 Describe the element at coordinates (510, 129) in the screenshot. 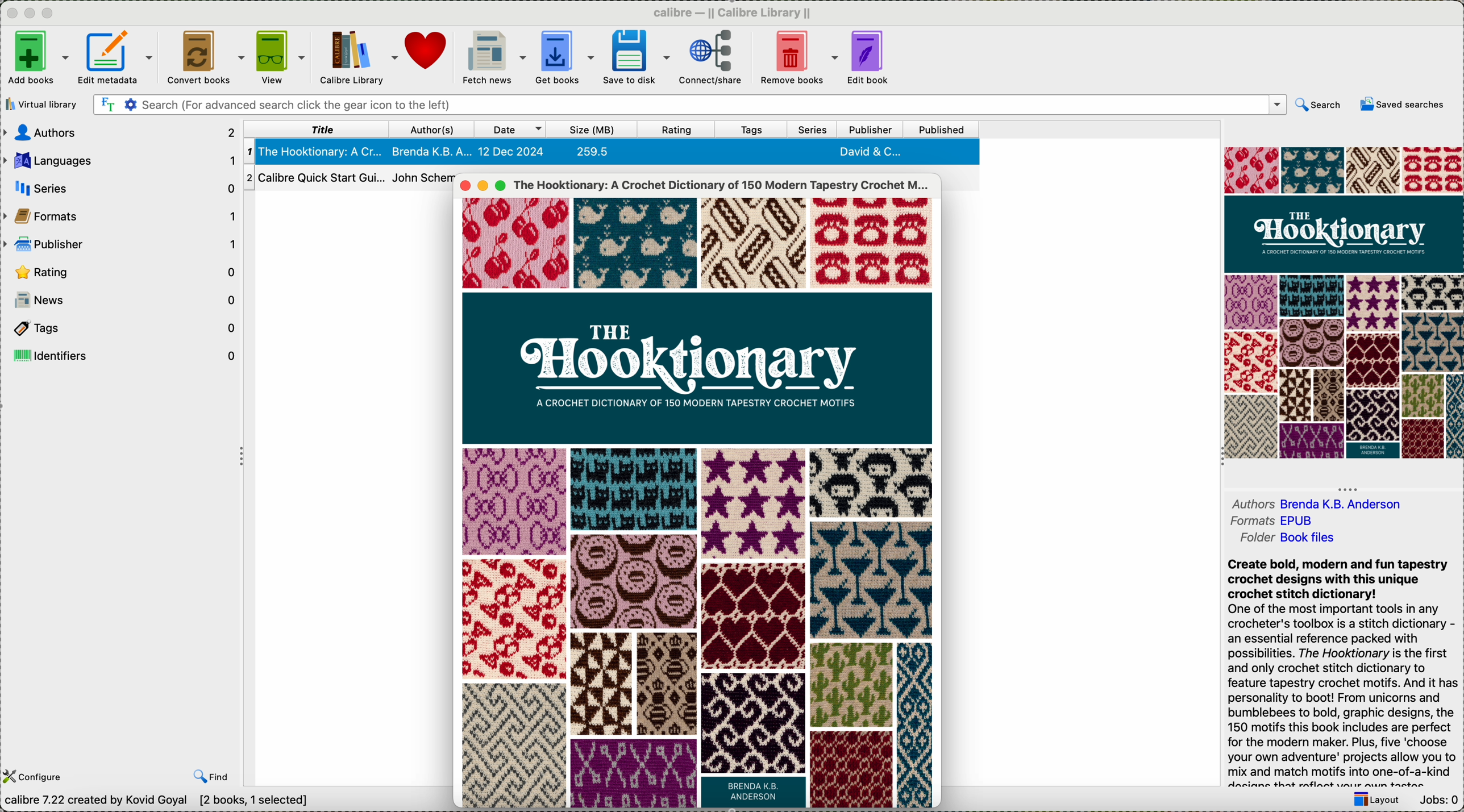

I see `date` at that location.